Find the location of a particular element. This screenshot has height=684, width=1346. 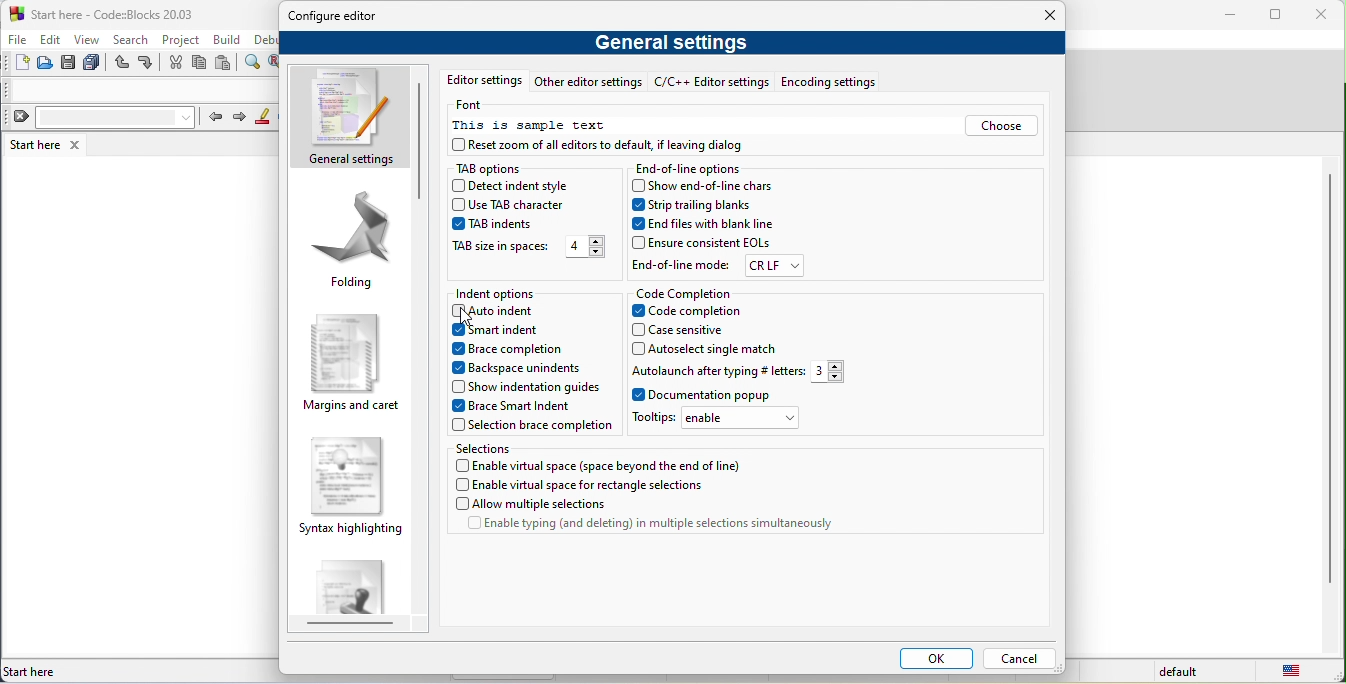

enable virtual space is located at coordinates (604, 466).